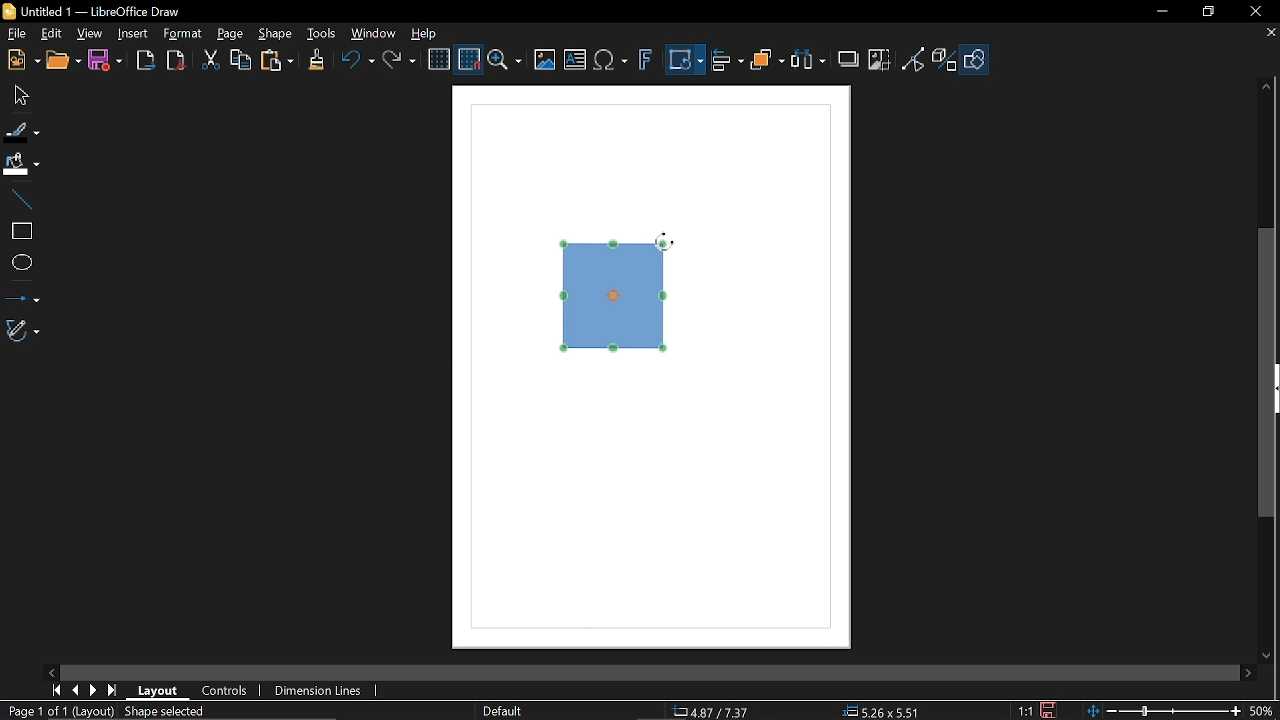 Image resolution: width=1280 pixels, height=720 pixels. What do you see at coordinates (1245, 673) in the screenshot?
I see `Move right` at bounding box center [1245, 673].